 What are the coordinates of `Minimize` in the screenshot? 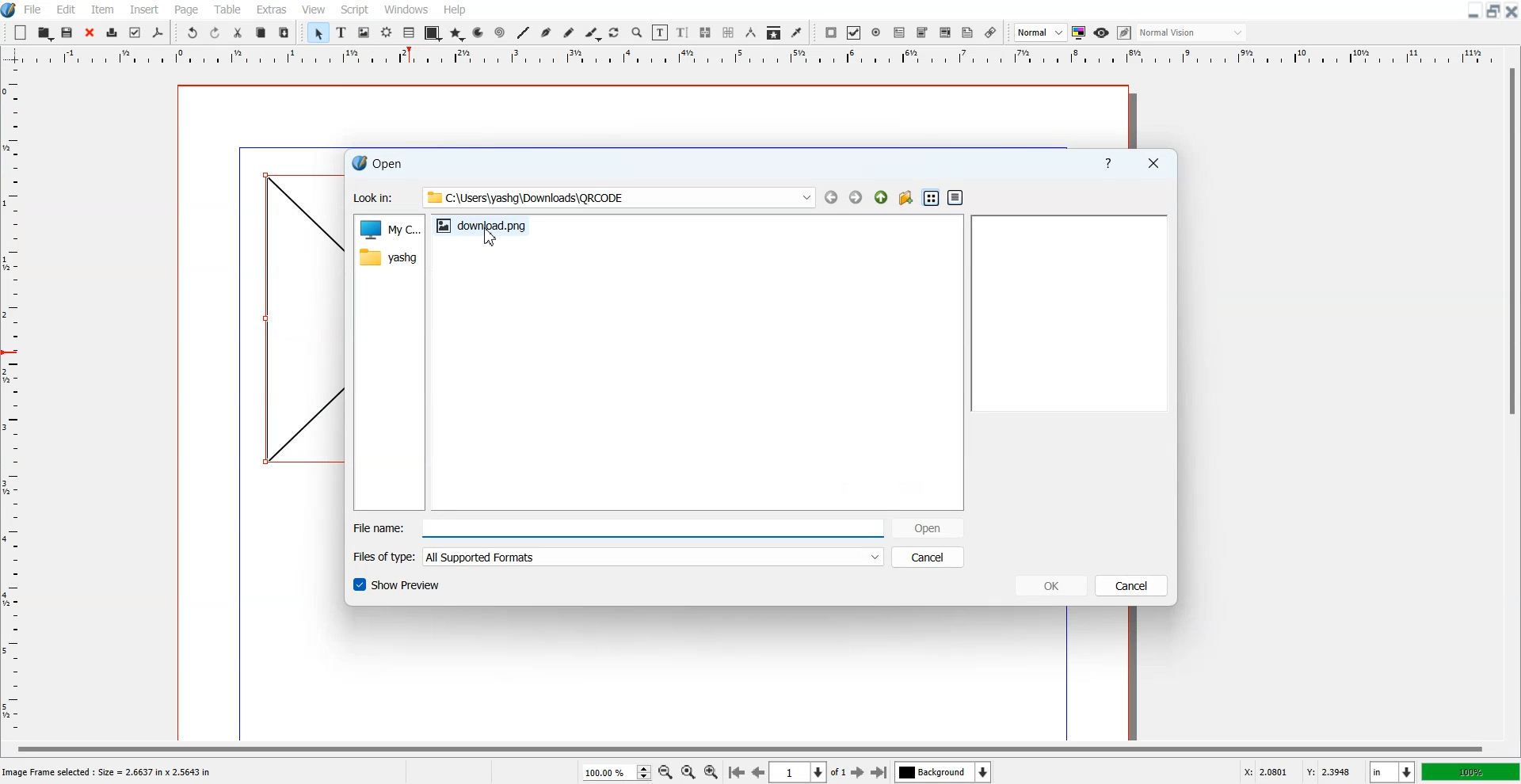 It's located at (1472, 11).